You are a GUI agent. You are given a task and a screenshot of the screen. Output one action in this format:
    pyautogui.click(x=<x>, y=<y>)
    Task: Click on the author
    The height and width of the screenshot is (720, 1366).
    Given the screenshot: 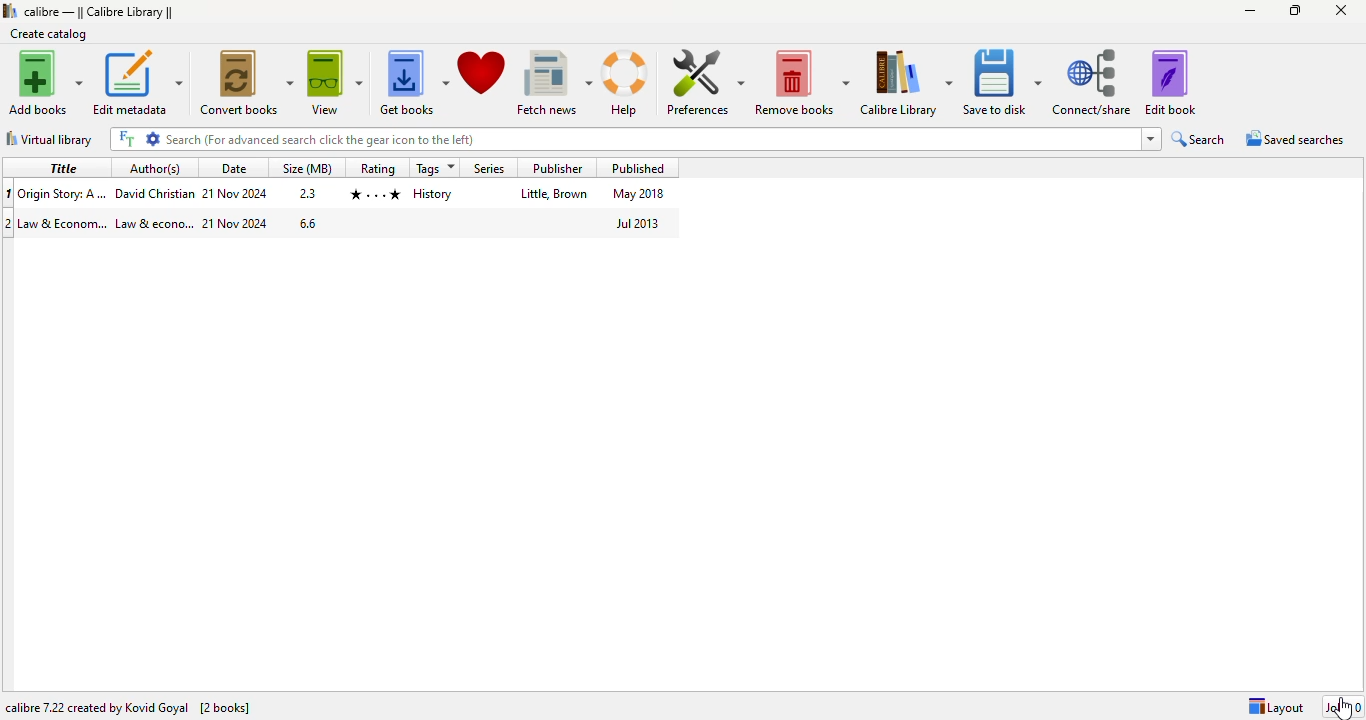 What is the action you would take?
    pyautogui.click(x=154, y=194)
    